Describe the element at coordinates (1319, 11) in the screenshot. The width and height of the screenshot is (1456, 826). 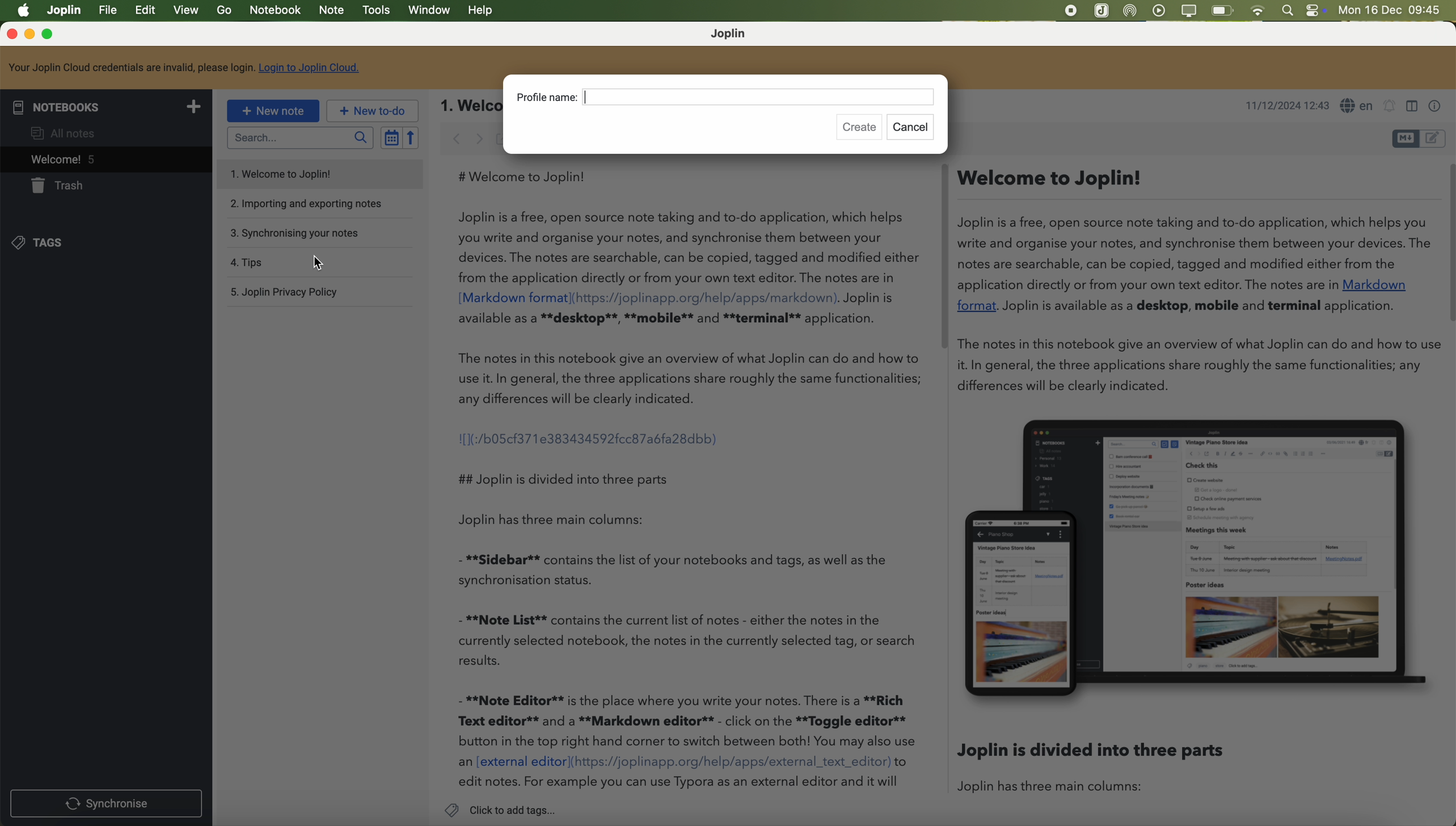
I see `controls` at that location.